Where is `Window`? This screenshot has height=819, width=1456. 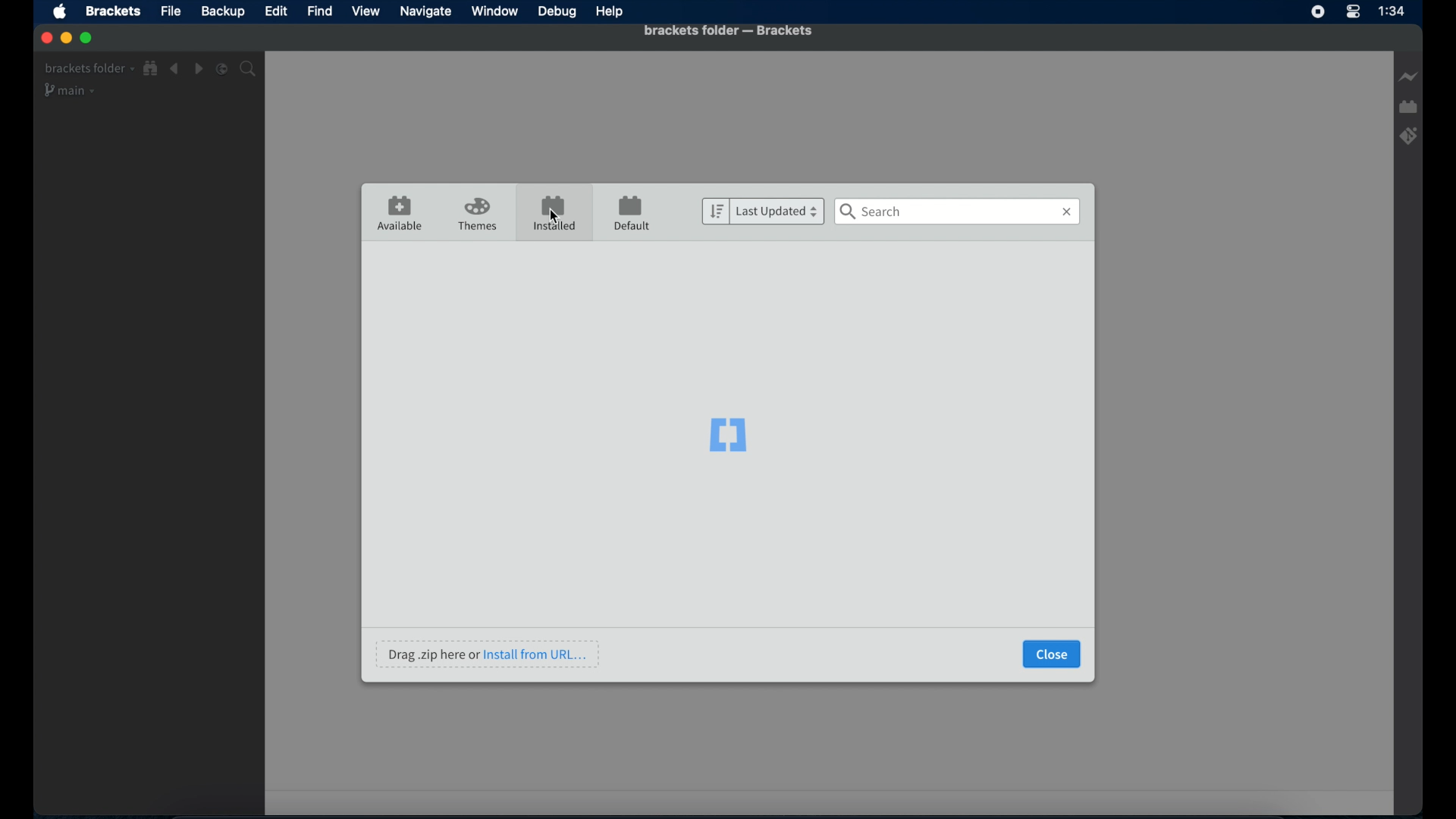 Window is located at coordinates (495, 11).